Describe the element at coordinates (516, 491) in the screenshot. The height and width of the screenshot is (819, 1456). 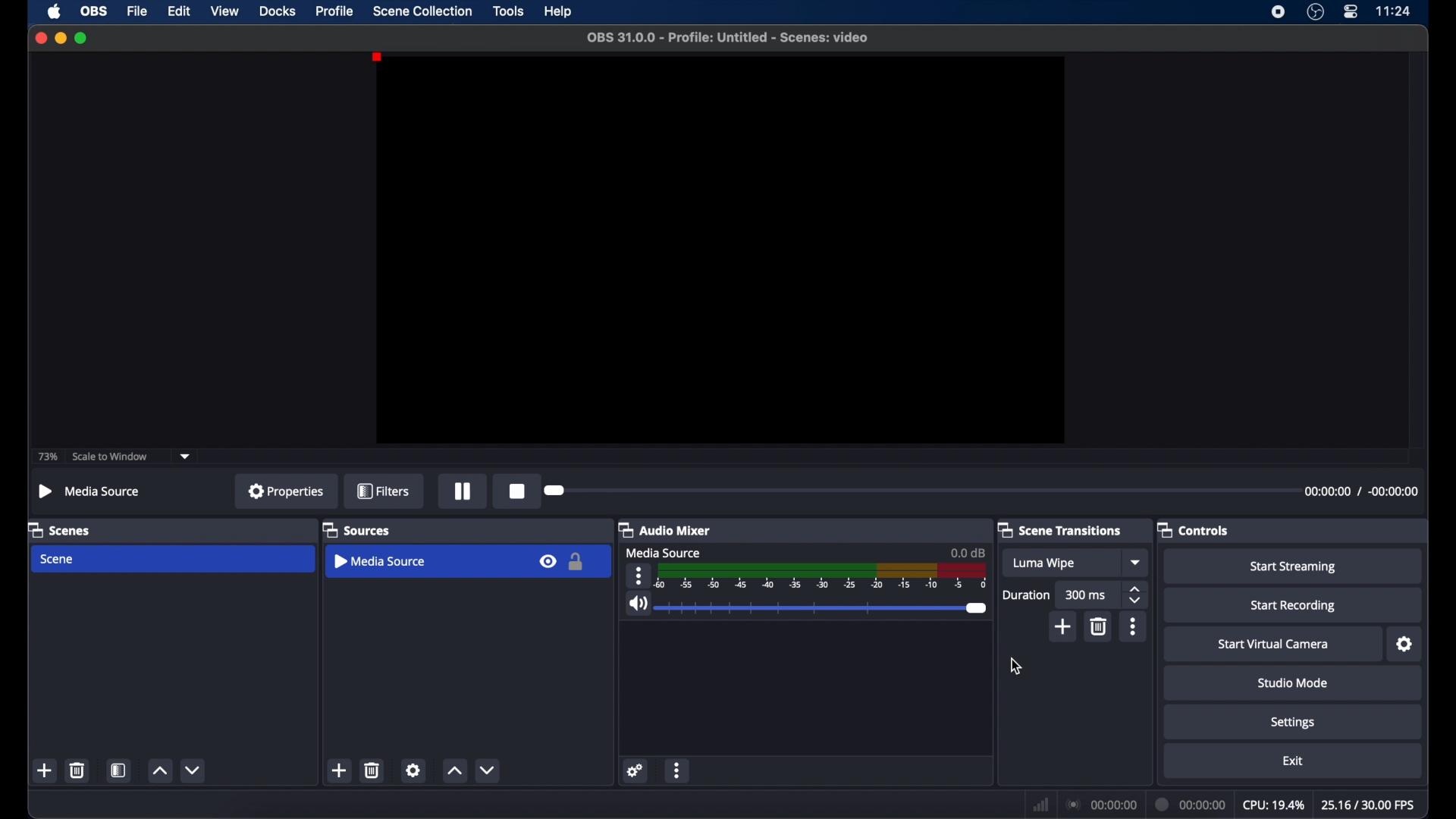
I see `stop` at that location.